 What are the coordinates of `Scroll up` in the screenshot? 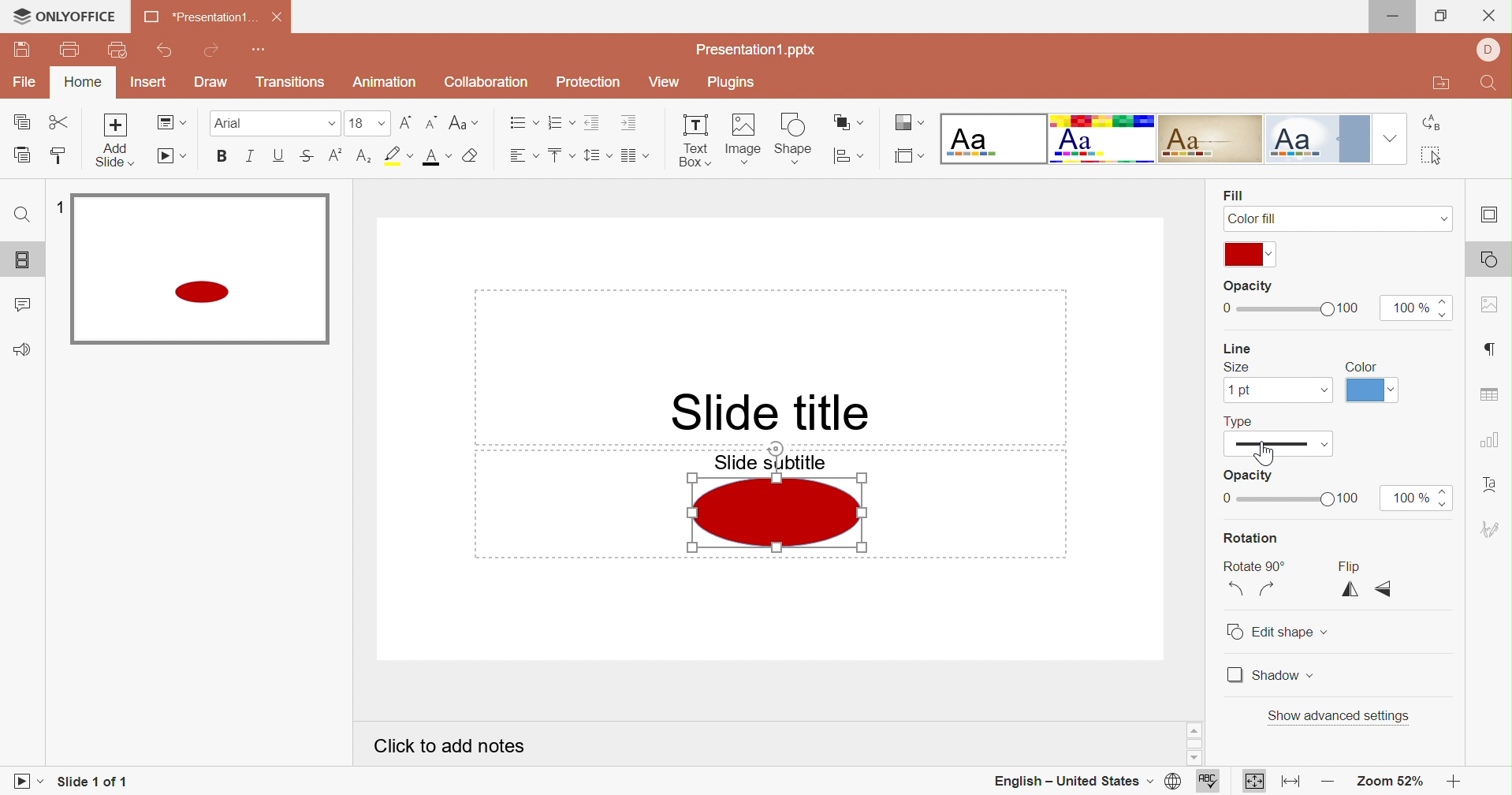 It's located at (1199, 729).